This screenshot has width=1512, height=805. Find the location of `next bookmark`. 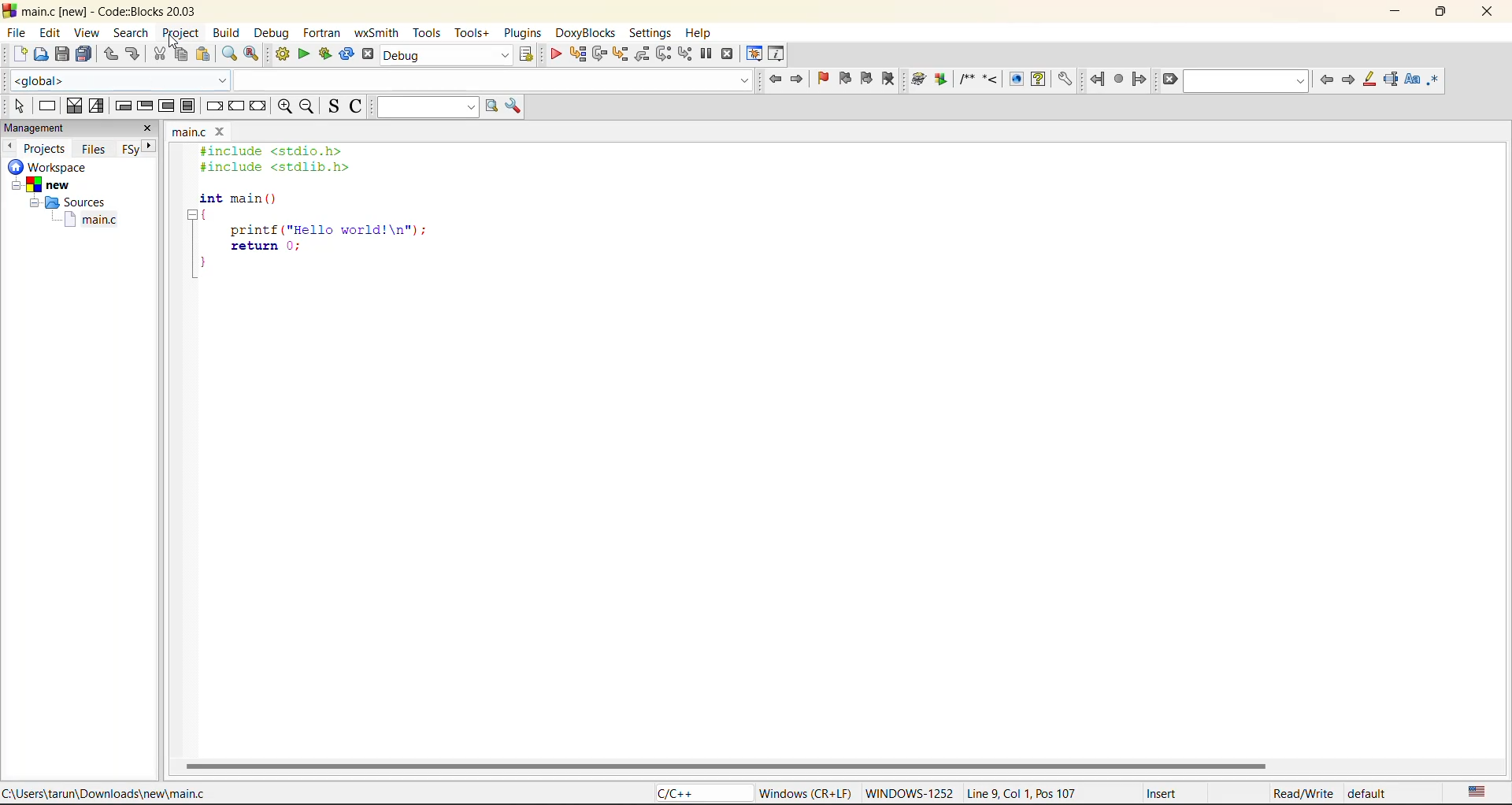

next bookmark is located at coordinates (869, 80).